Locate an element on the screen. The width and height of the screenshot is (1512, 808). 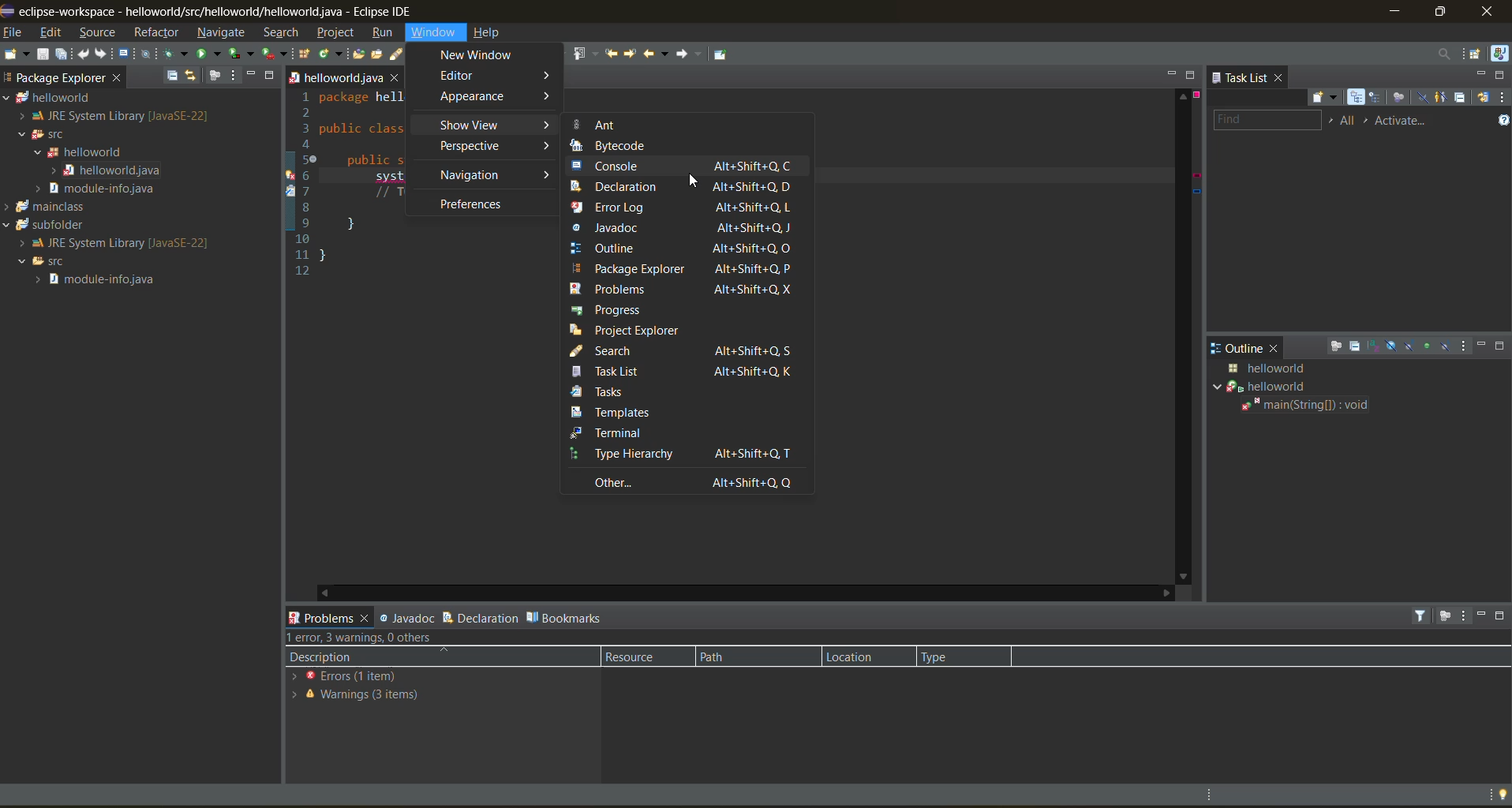
edit task working sets is located at coordinates (1349, 121).